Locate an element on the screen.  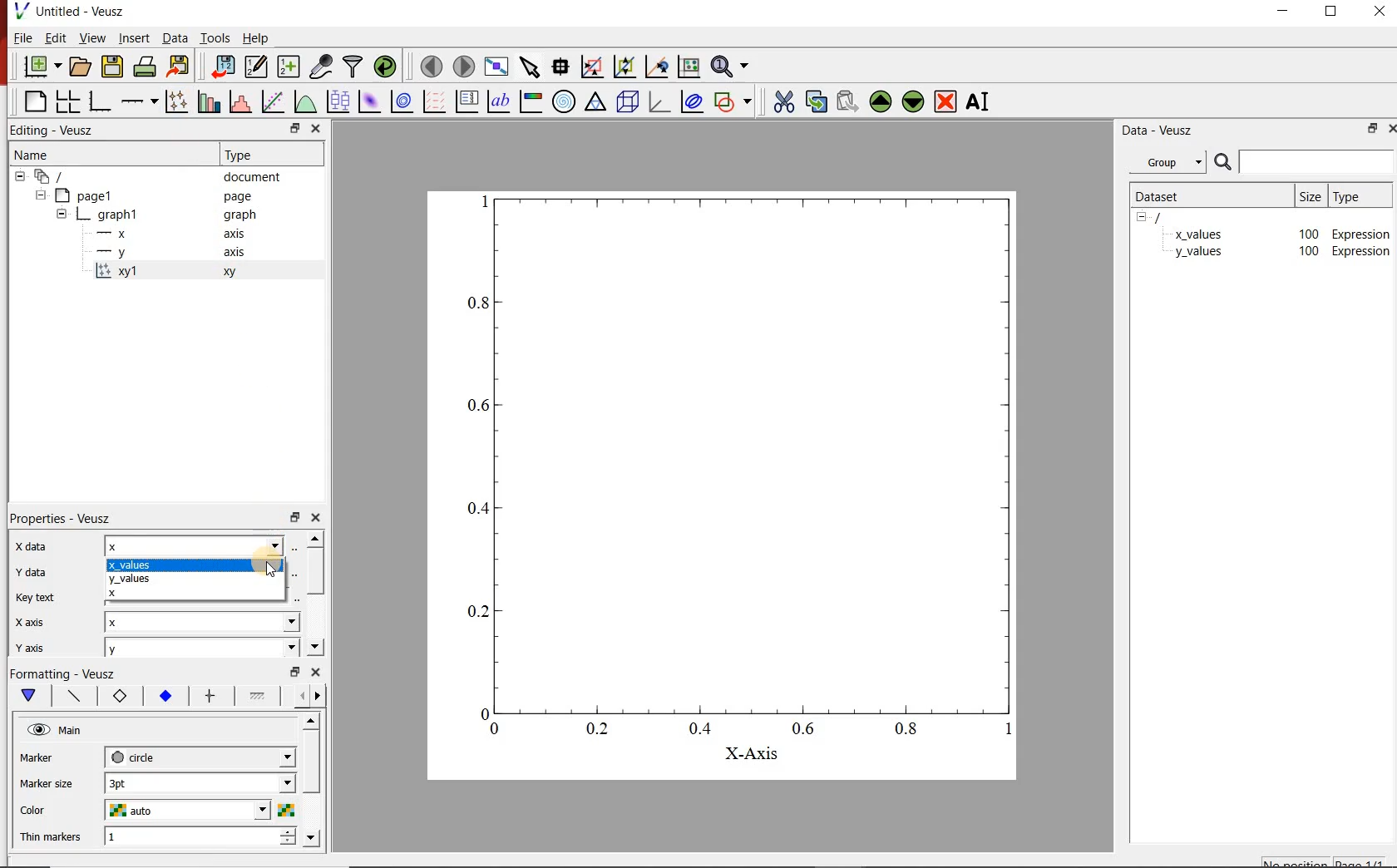
 Xdata is located at coordinates (37, 549).